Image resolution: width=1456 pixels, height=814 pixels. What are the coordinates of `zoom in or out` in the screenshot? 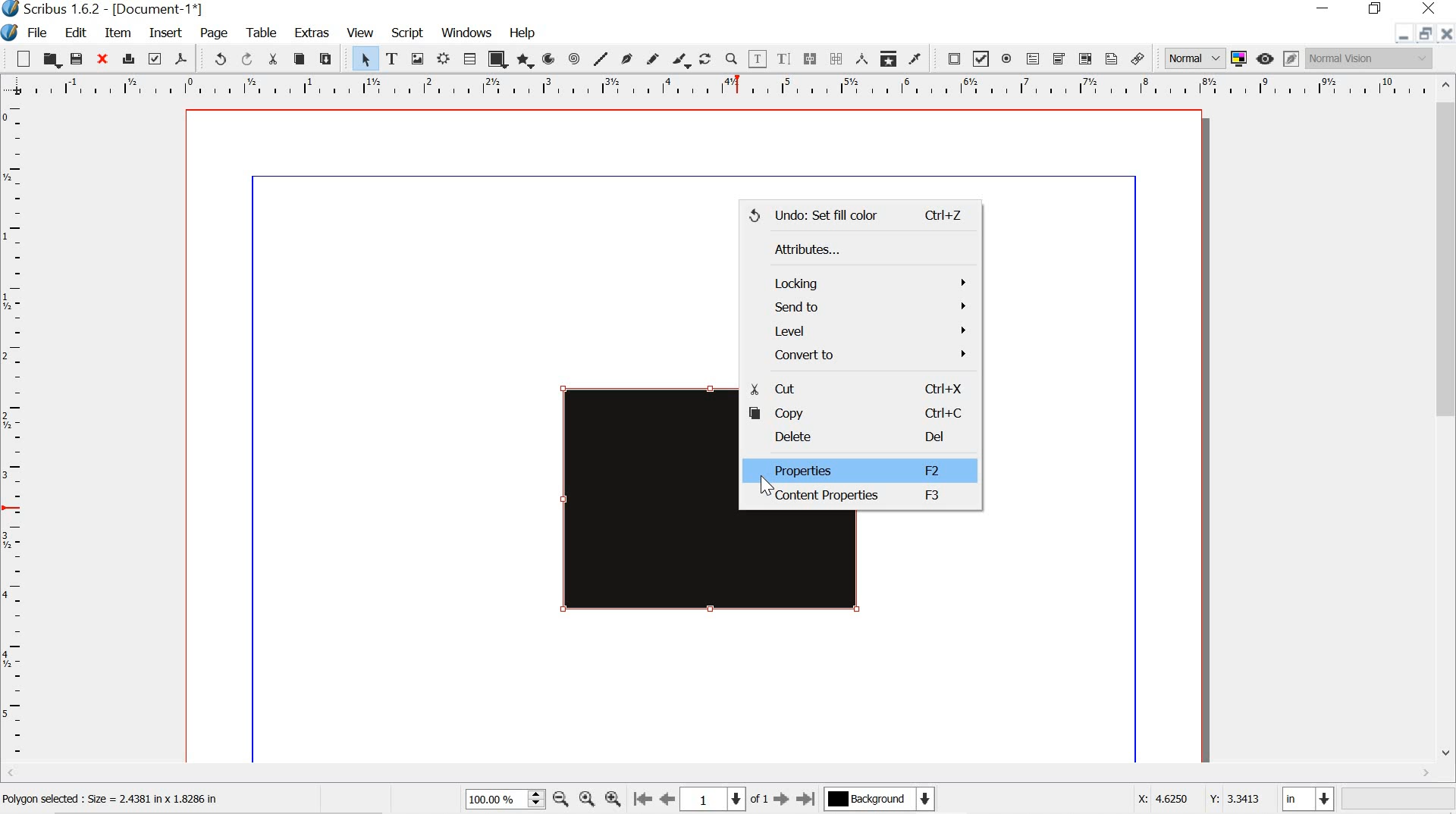 It's located at (733, 59).